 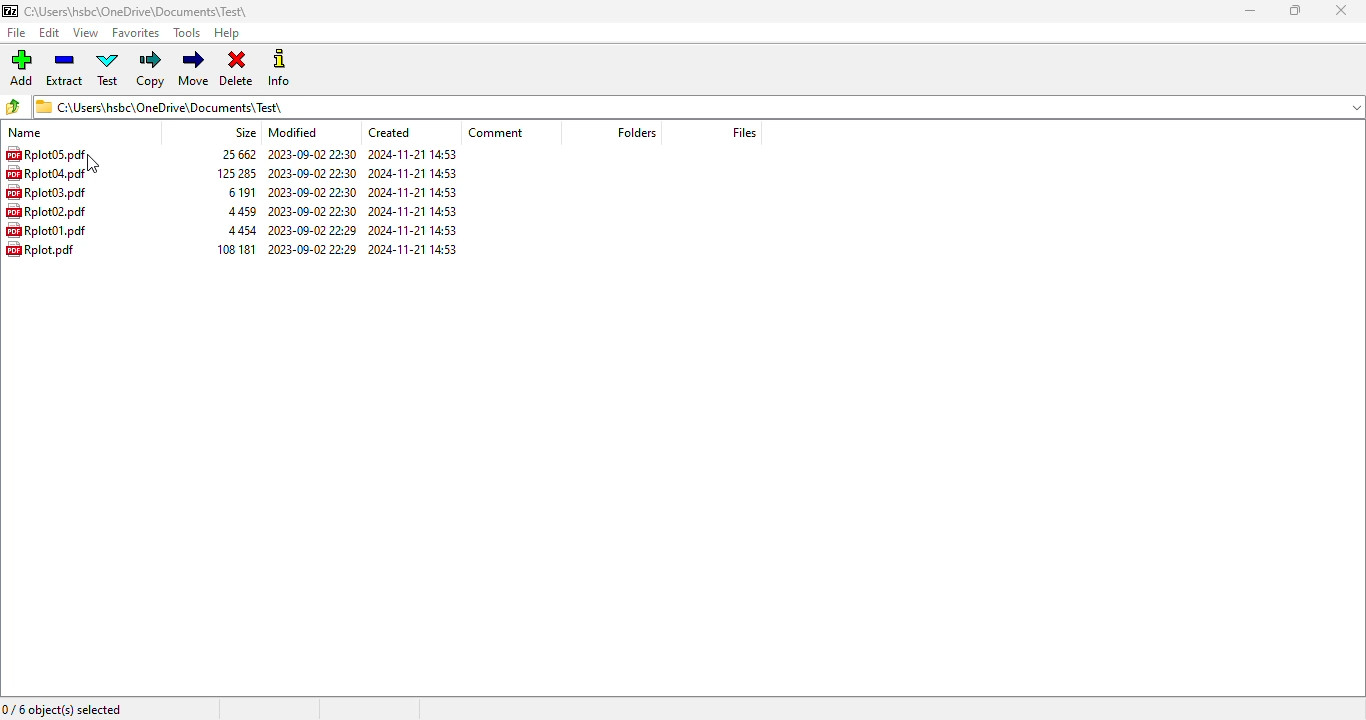 I want to click on comment, so click(x=496, y=132).